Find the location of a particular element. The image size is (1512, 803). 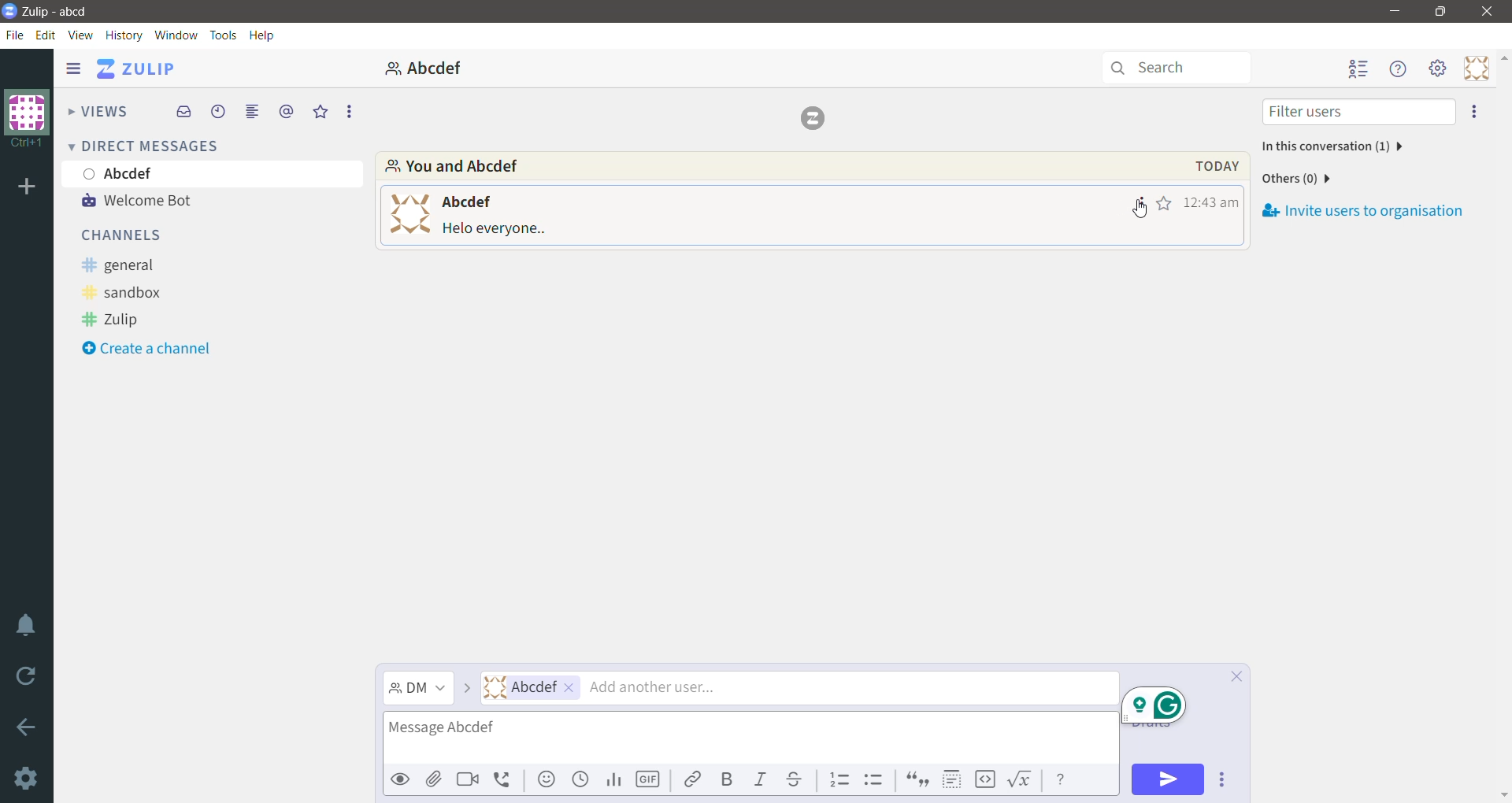

Message Time is located at coordinates (1210, 202).